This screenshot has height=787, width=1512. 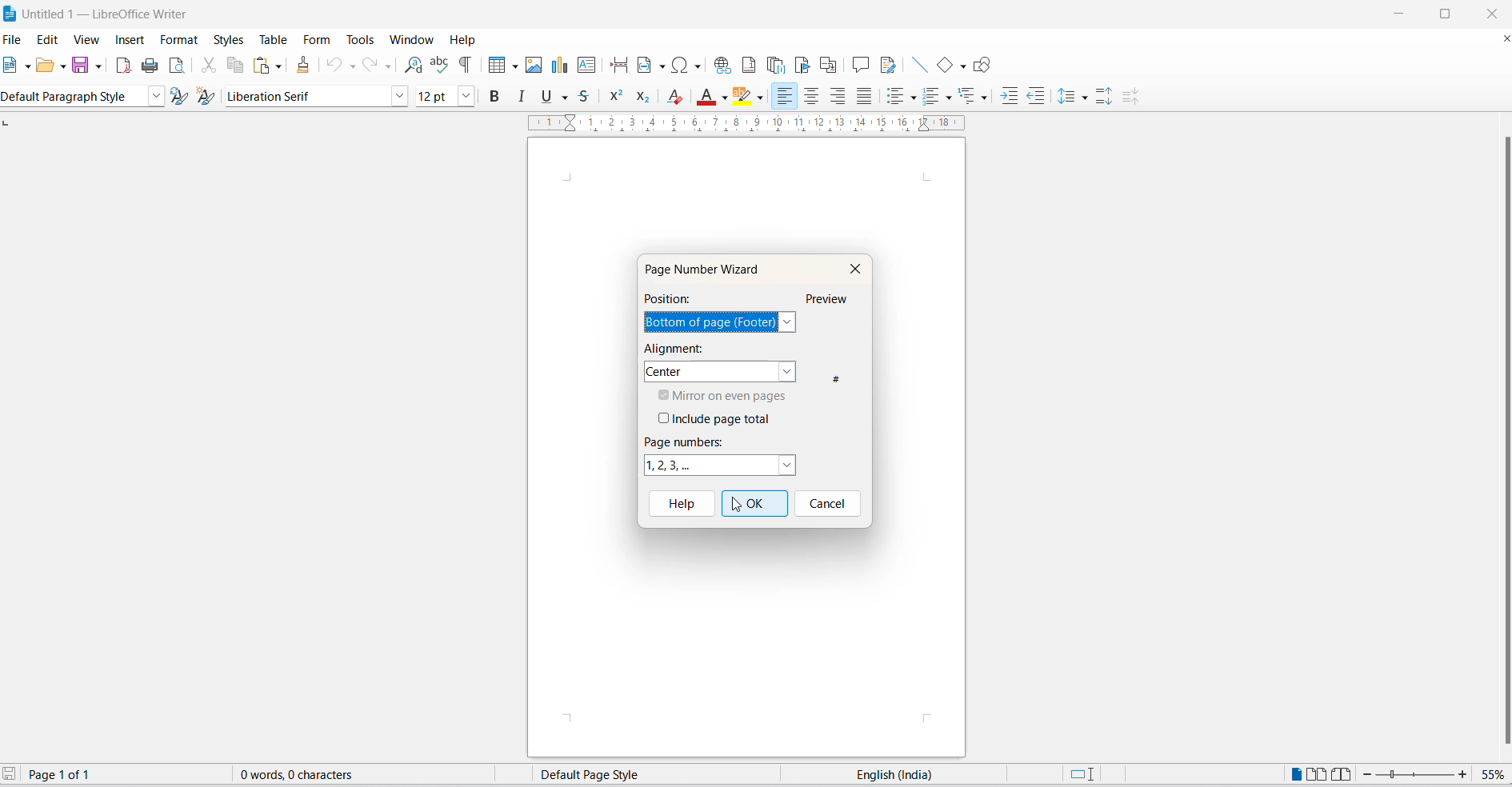 I want to click on styles, so click(x=226, y=38).